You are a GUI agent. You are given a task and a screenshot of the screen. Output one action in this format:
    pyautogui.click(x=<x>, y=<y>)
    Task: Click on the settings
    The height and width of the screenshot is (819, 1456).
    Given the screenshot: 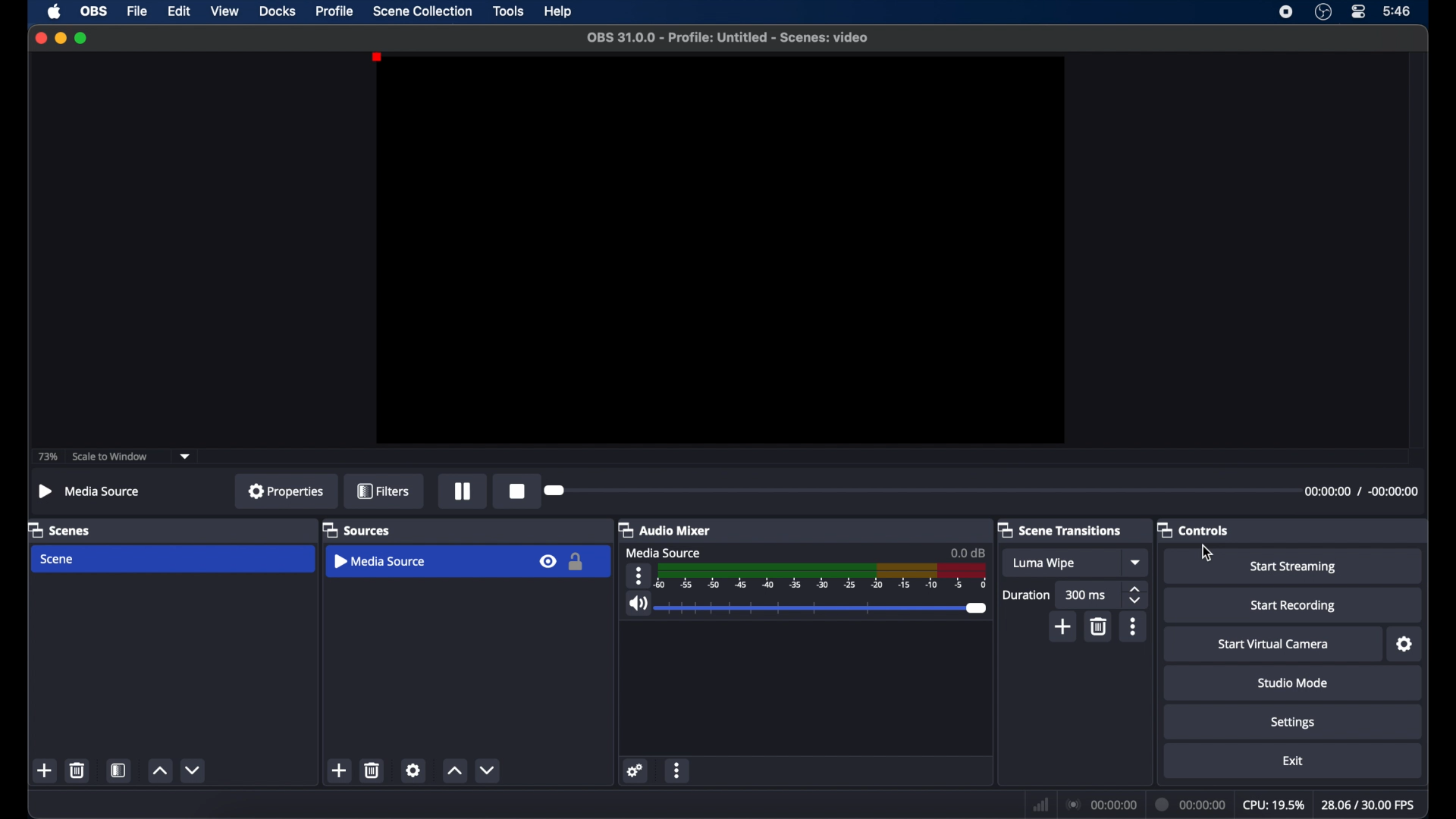 What is the action you would take?
    pyautogui.click(x=1405, y=645)
    